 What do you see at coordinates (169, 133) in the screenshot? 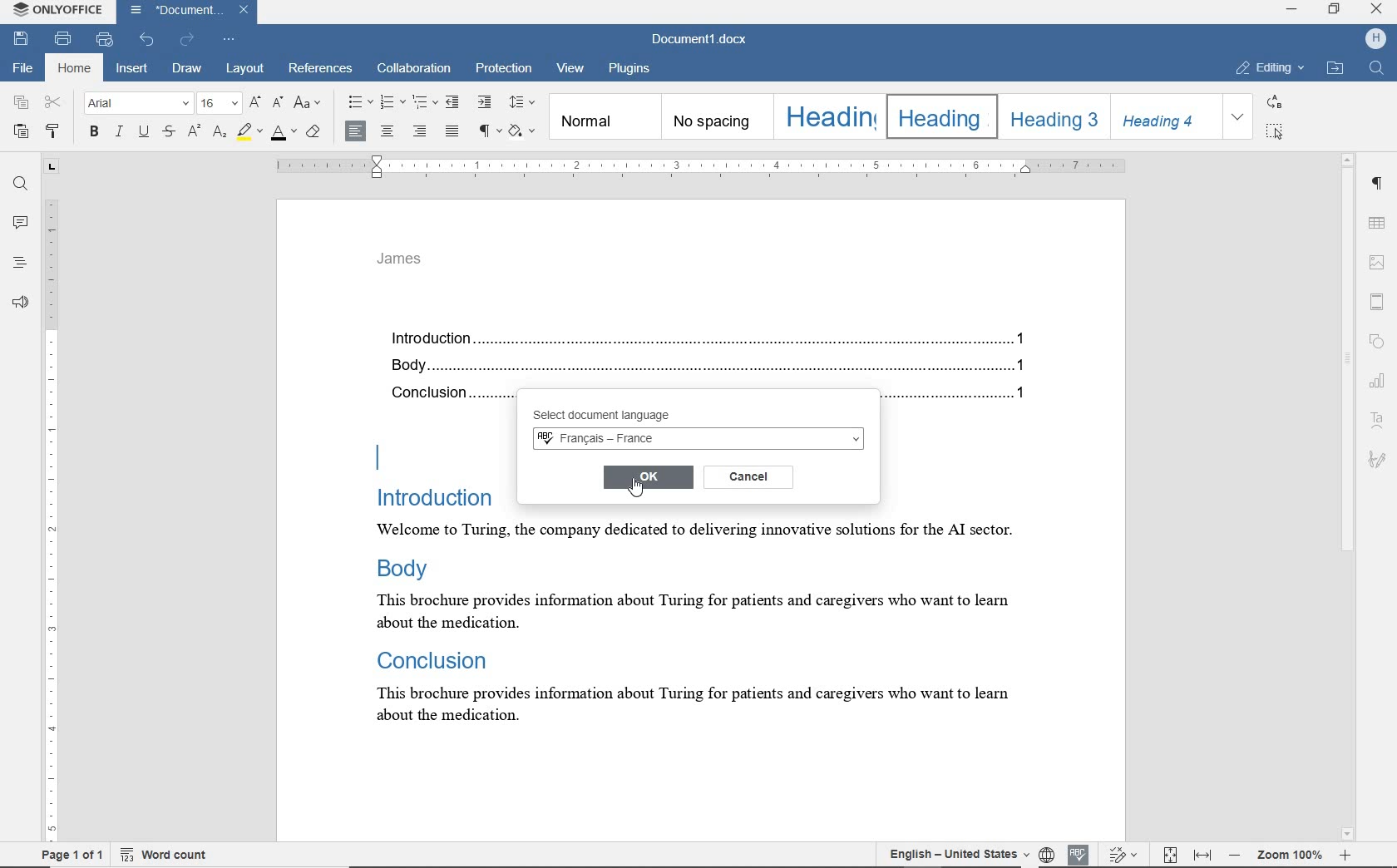
I see `strikethrough` at bounding box center [169, 133].